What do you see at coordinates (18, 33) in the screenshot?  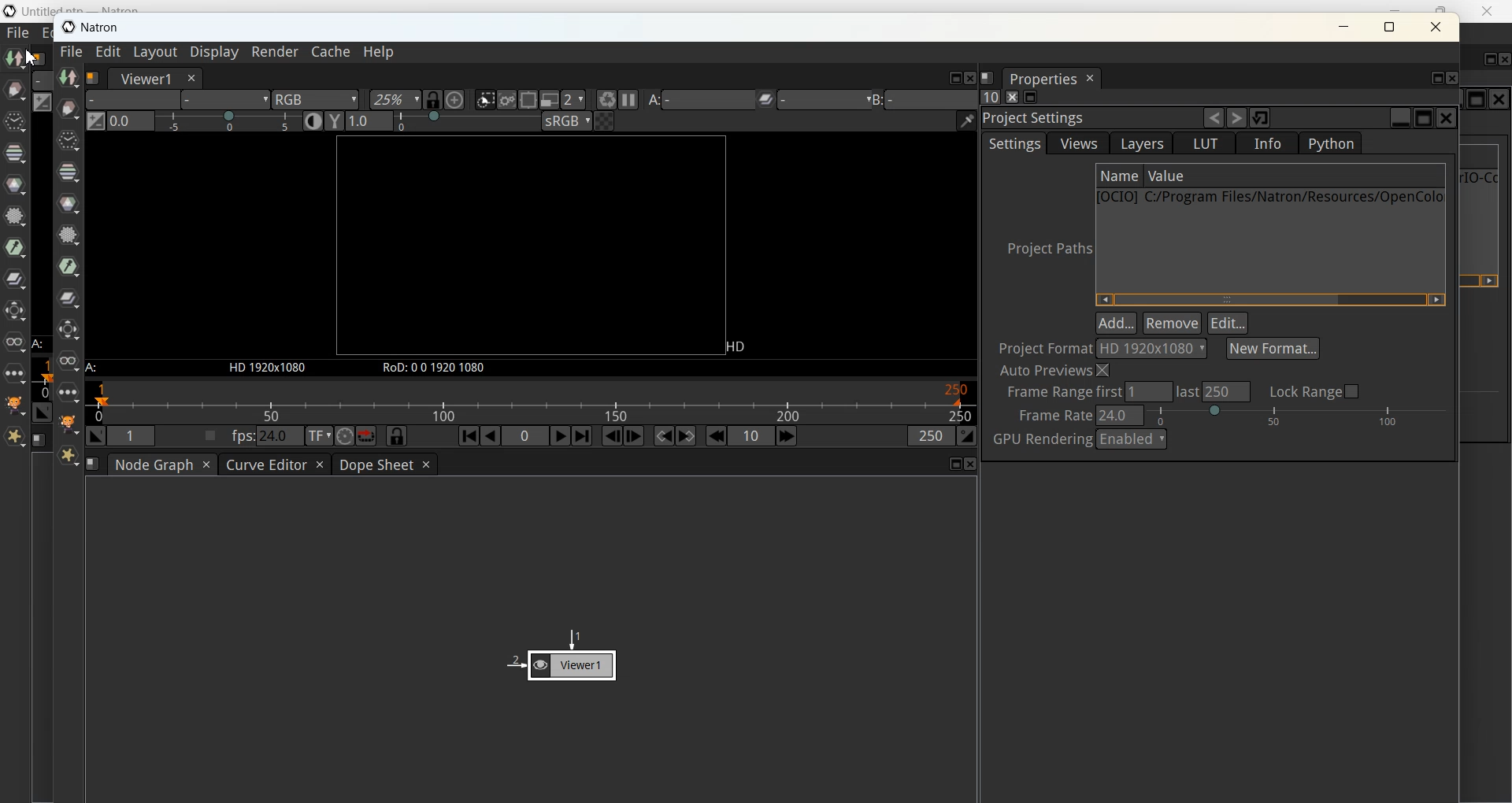 I see `File` at bounding box center [18, 33].